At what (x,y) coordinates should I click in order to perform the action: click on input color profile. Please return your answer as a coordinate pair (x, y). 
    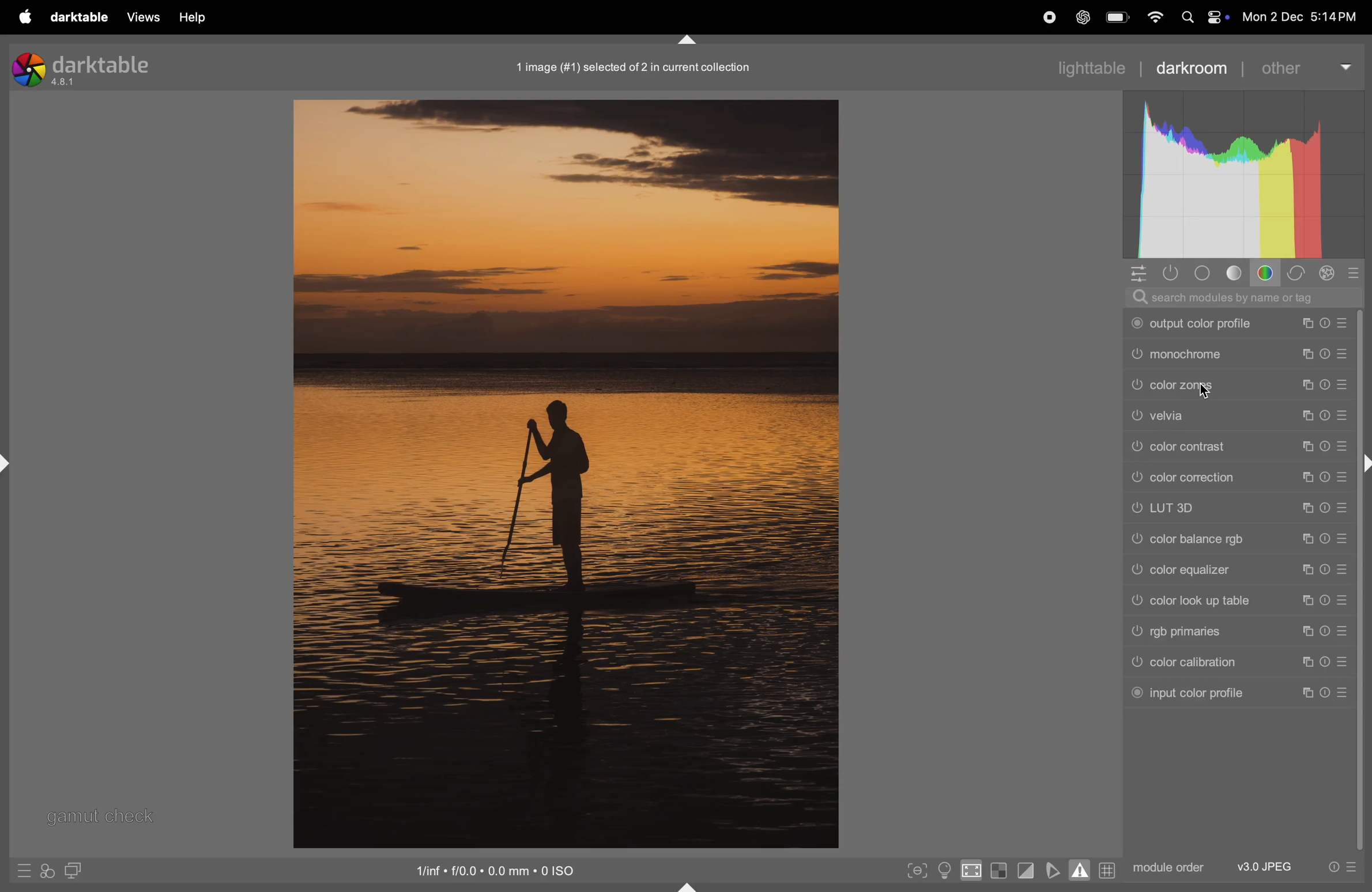
    Looking at the image, I should click on (1204, 694).